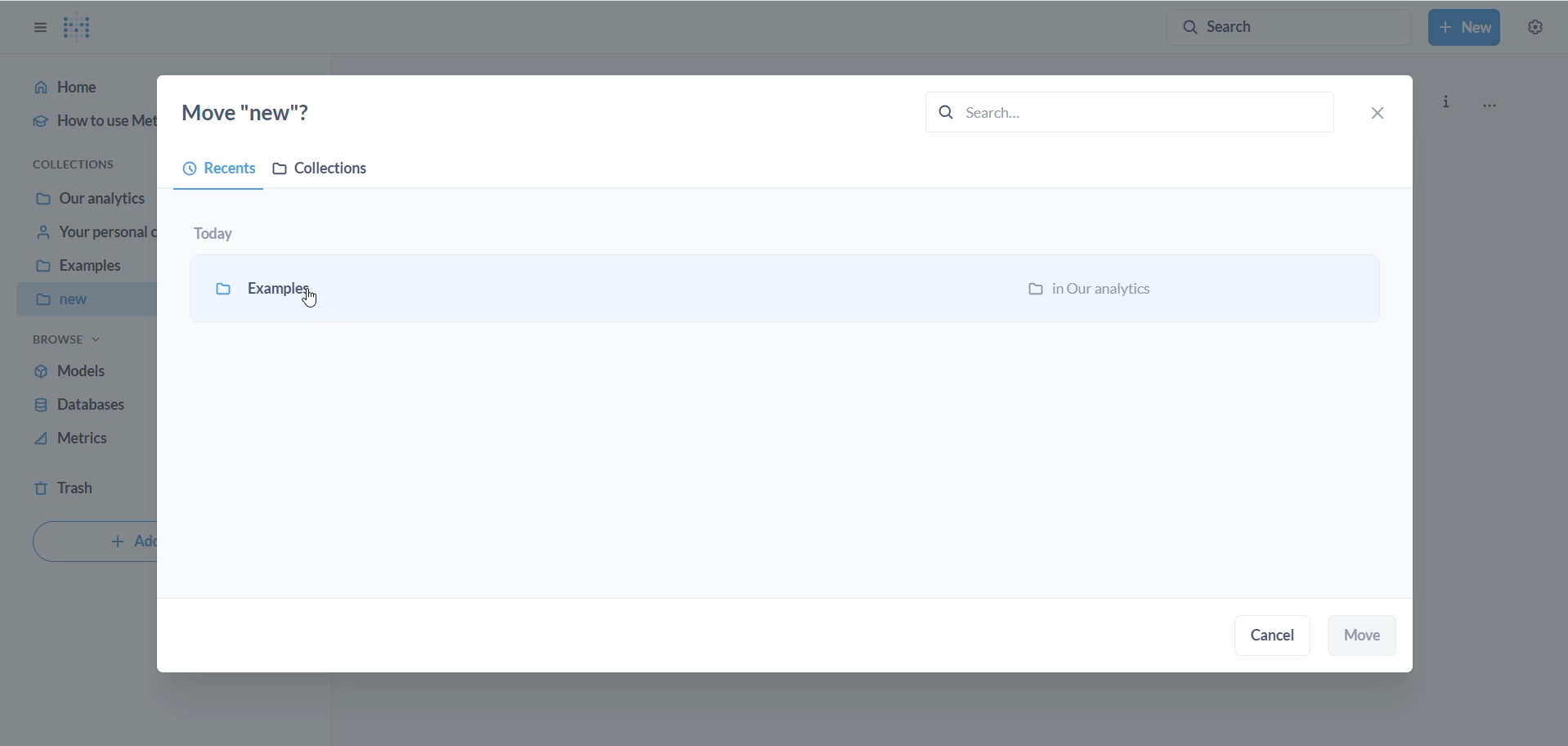 The image size is (1568, 746). What do you see at coordinates (92, 199) in the screenshot?
I see `our analytics ` at bounding box center [92, 199].